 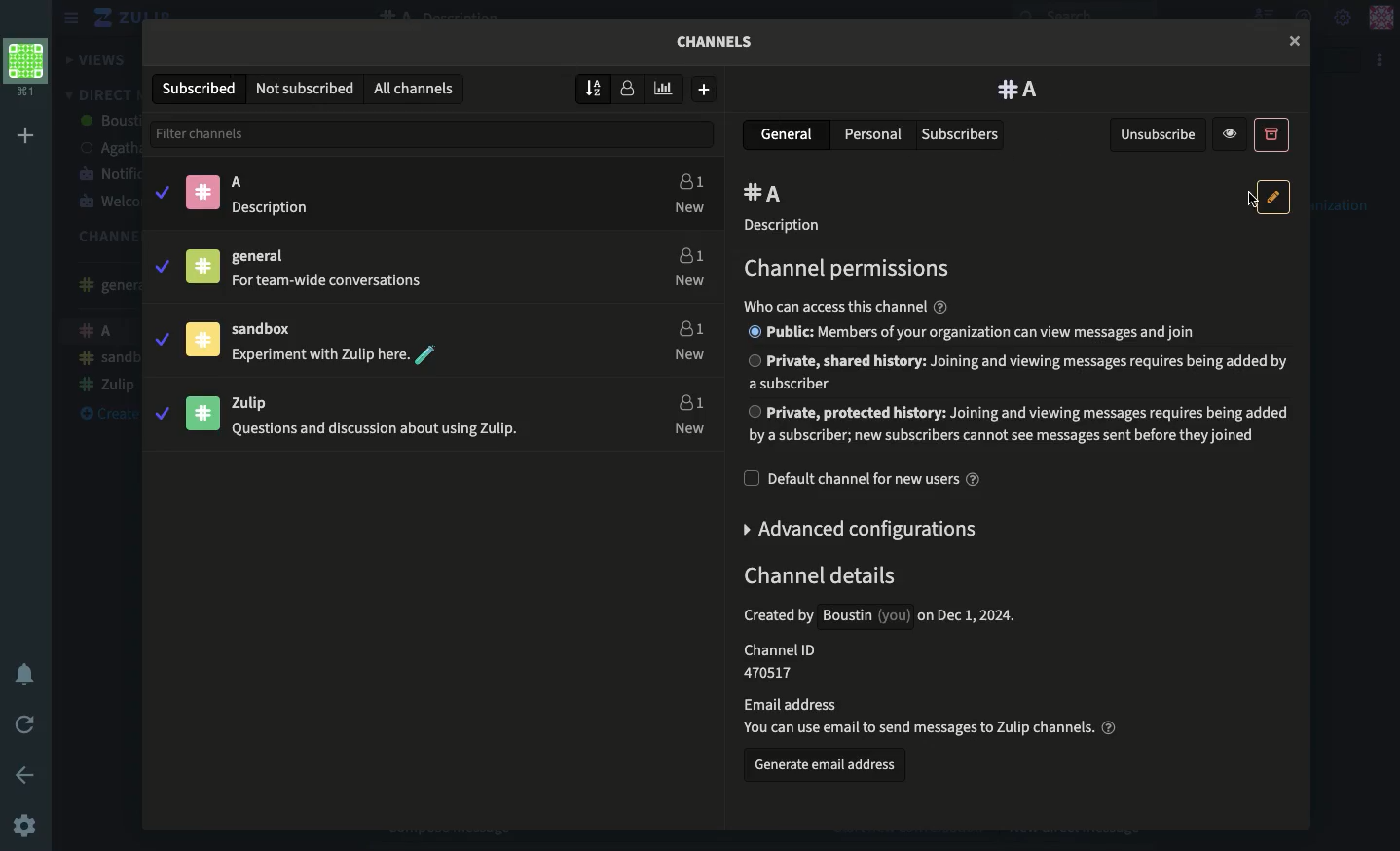 What do you see at coordinates (1381, 18) in the screenshot?
I see `Profile` at bounding box center [1381, 18].